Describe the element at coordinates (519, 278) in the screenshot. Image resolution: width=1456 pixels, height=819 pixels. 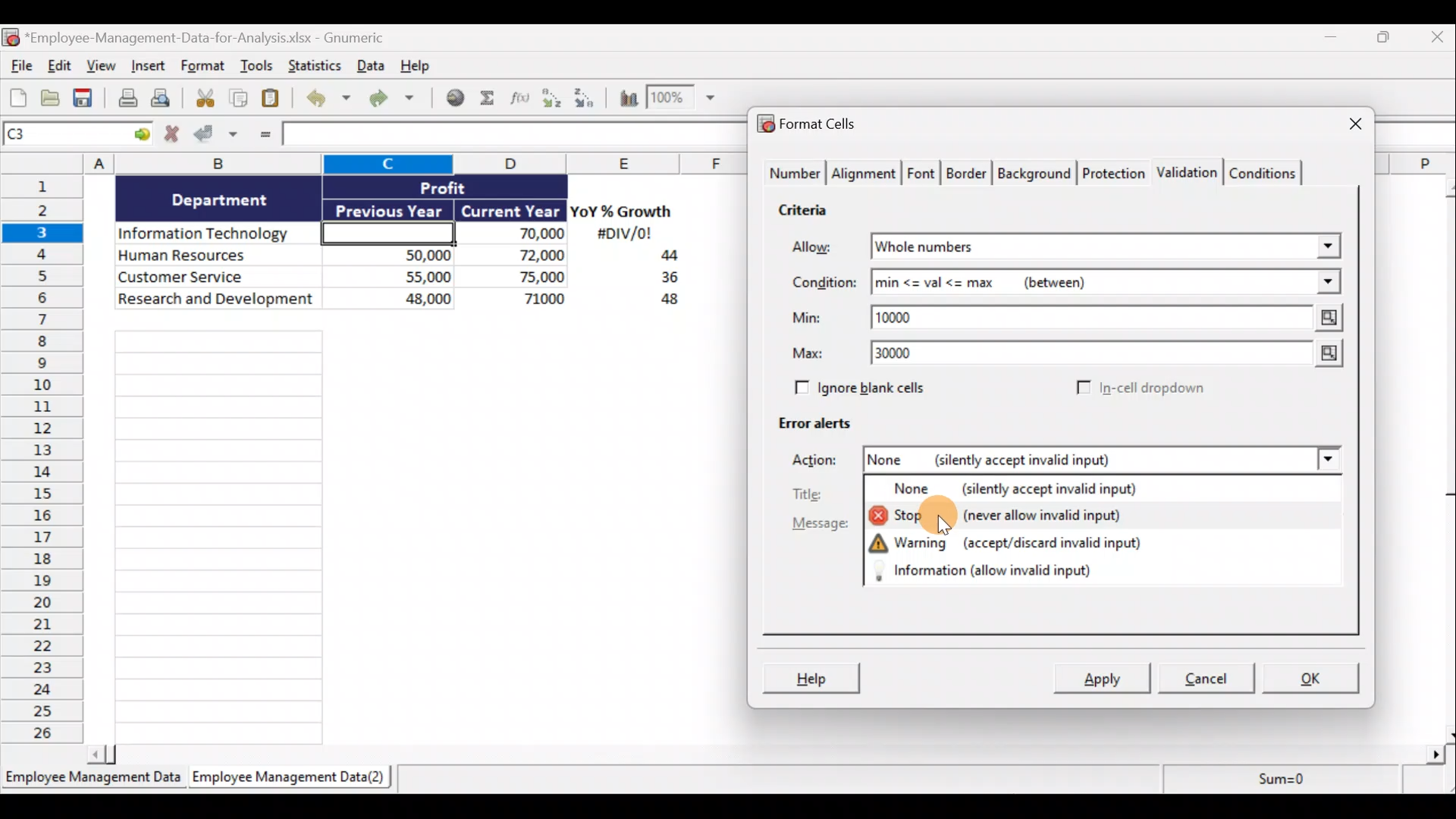
I see `75,000` at that location.